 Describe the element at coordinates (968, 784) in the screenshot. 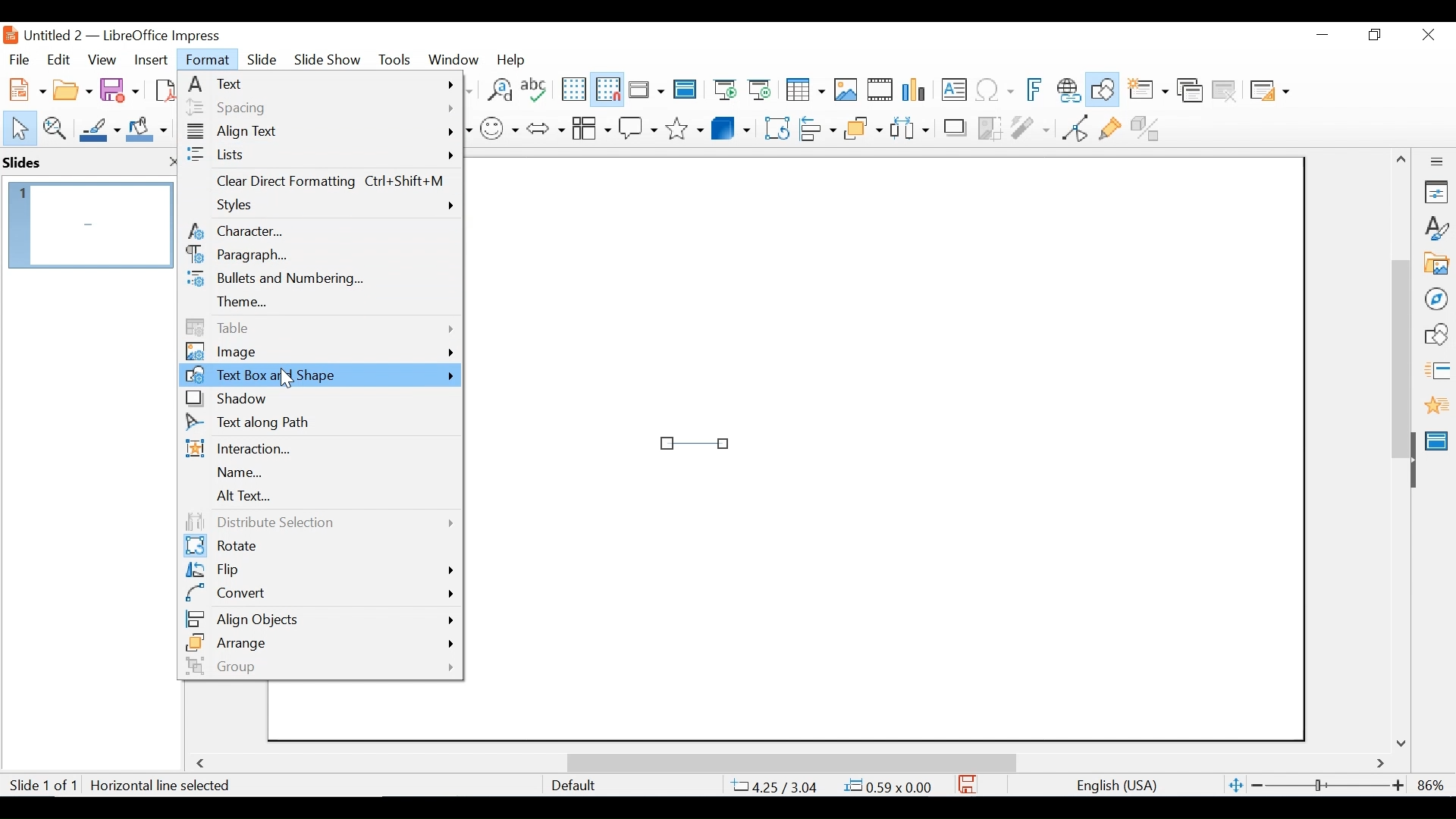

I see `Save` at that location.